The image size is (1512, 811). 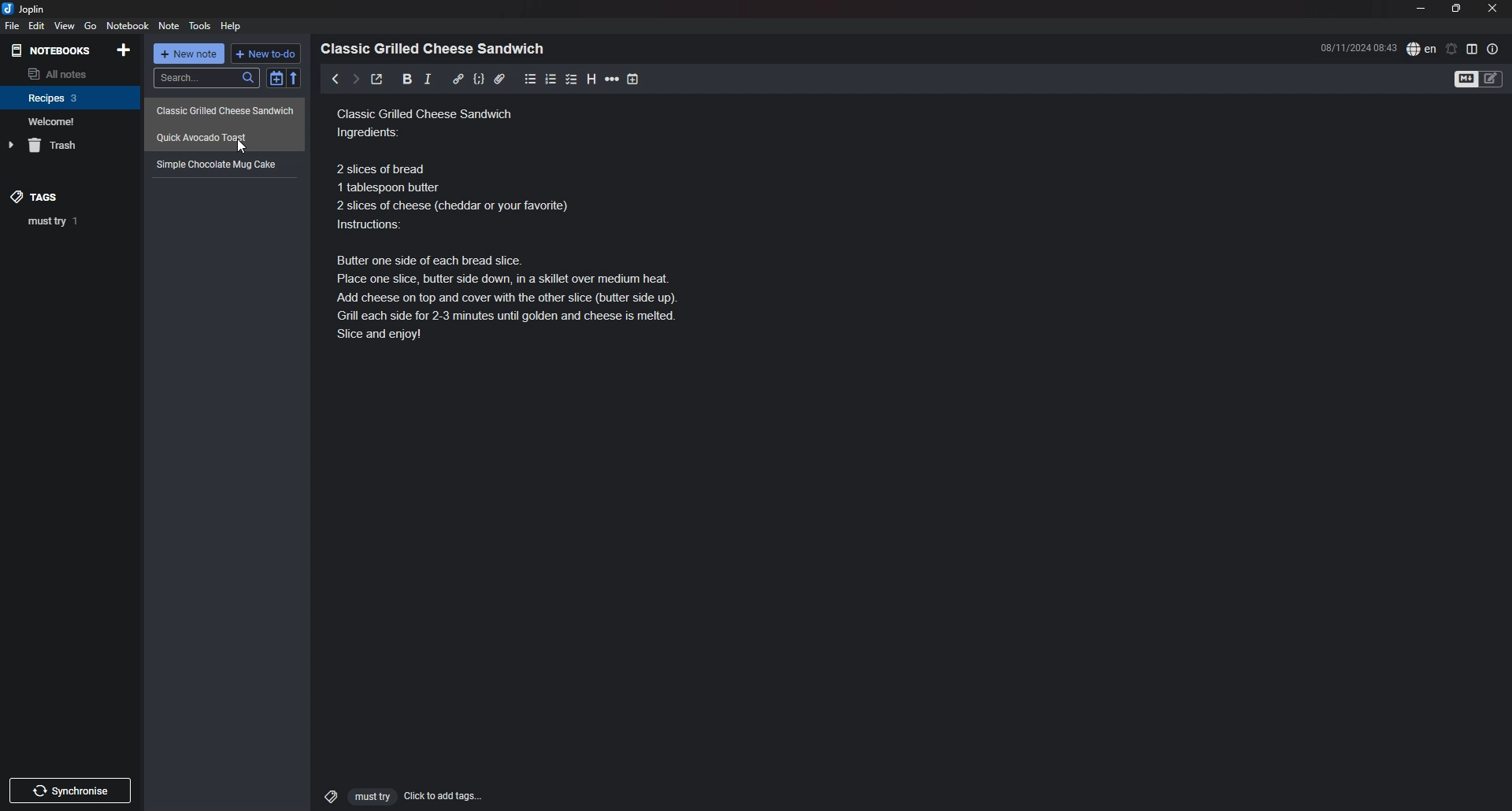 What do you see at coordinates (220, 164) in the screenshot?
I see `Simple chocolate mug cake` at bounding box center [220, 164].